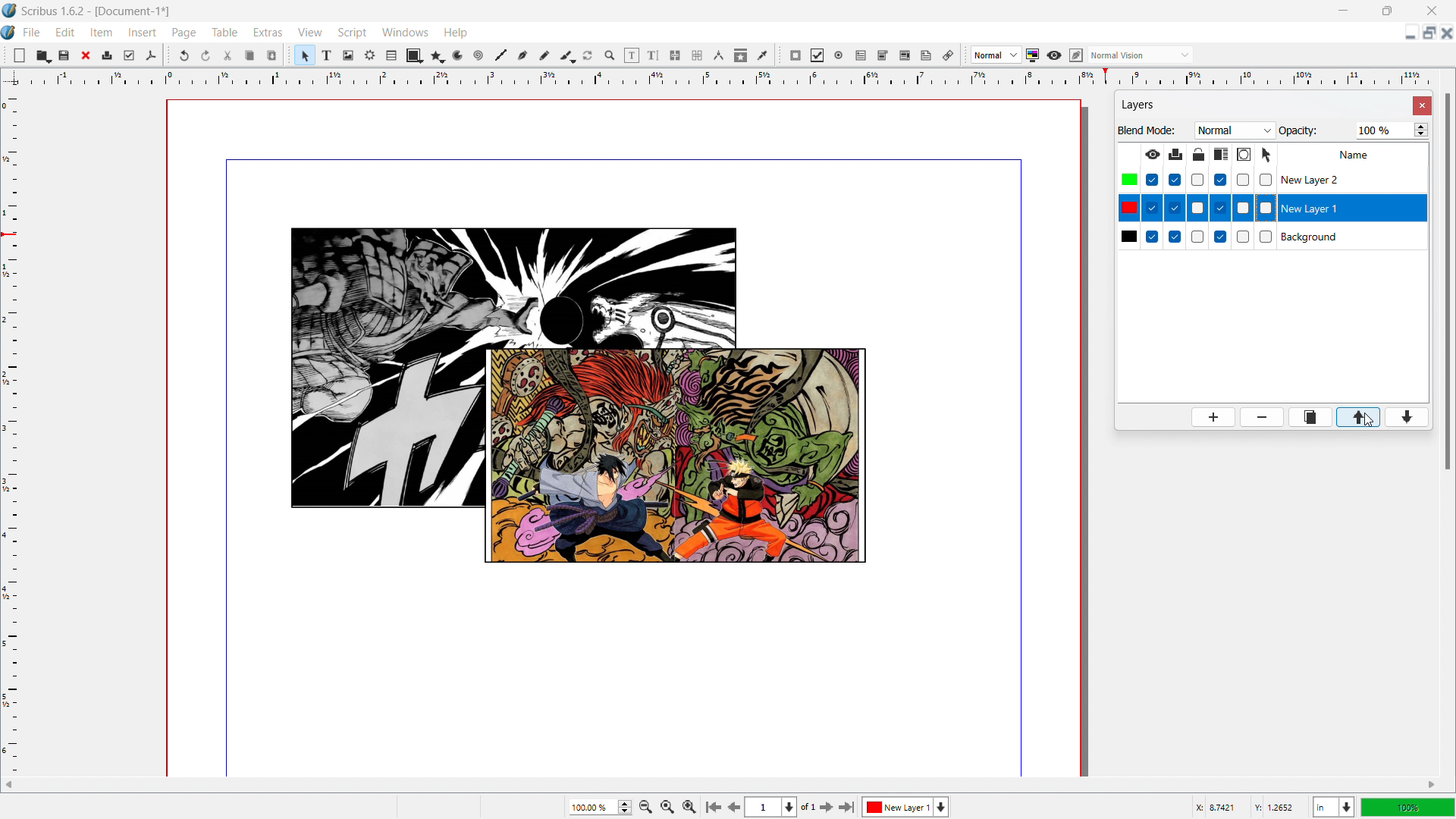 Image resolution: width=1456 pixels, height=819 pixels. Describe the element at coordinates (654, 55) in the screenshot. I see `edit text with story editor` at that location.